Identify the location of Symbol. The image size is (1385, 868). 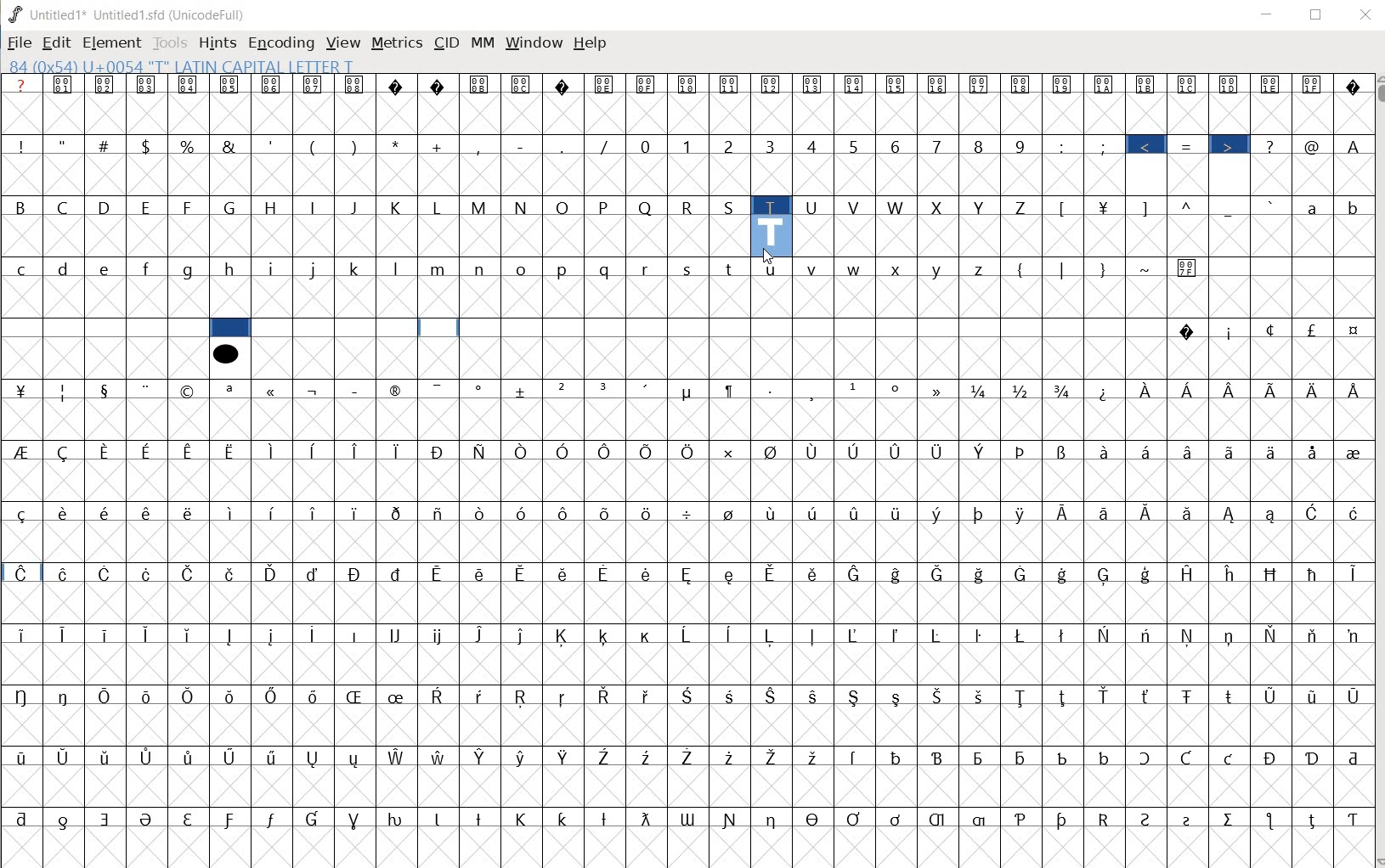
(1025, 513).